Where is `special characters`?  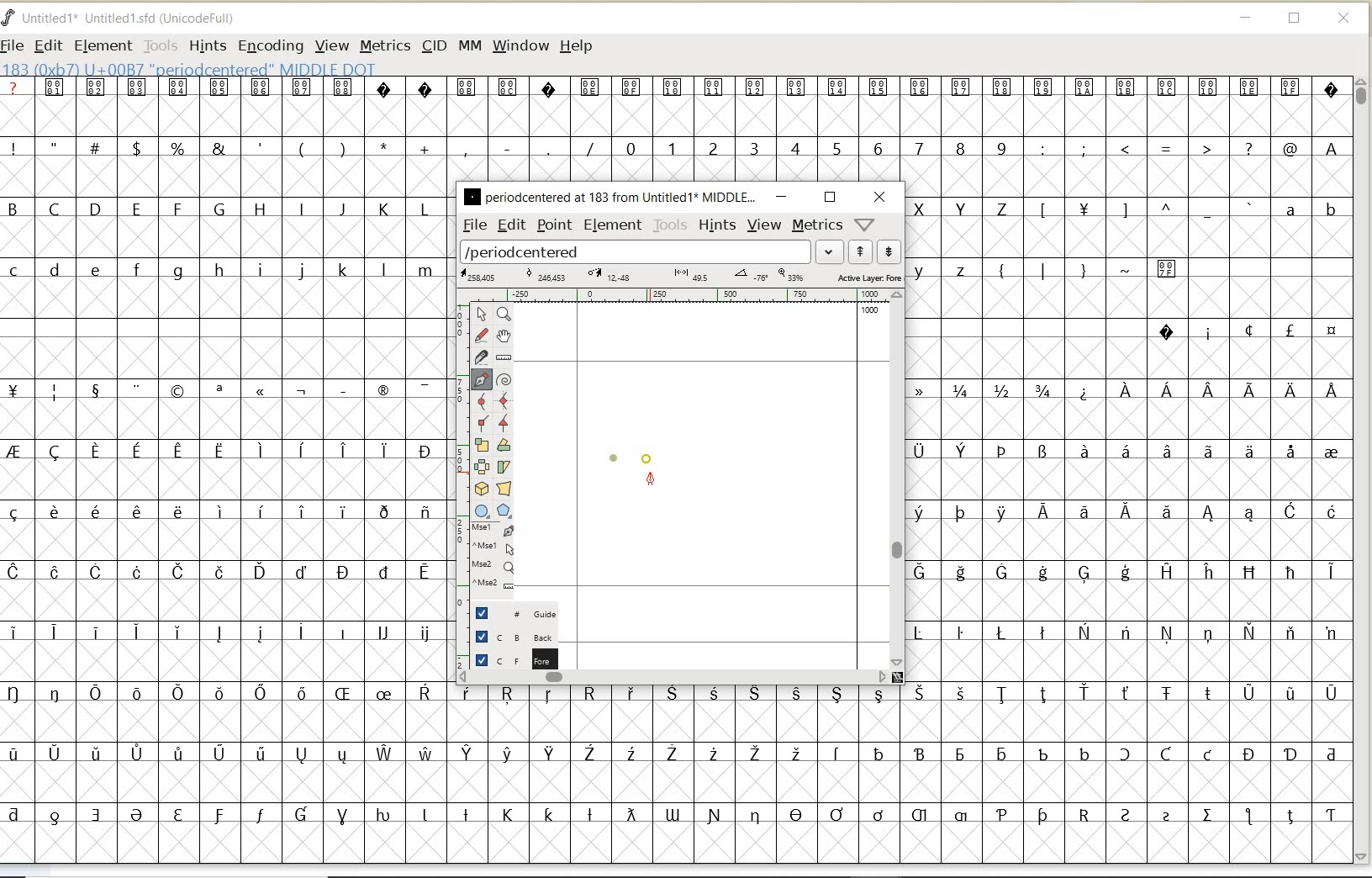
special characters is located at coordinates (673, 98).